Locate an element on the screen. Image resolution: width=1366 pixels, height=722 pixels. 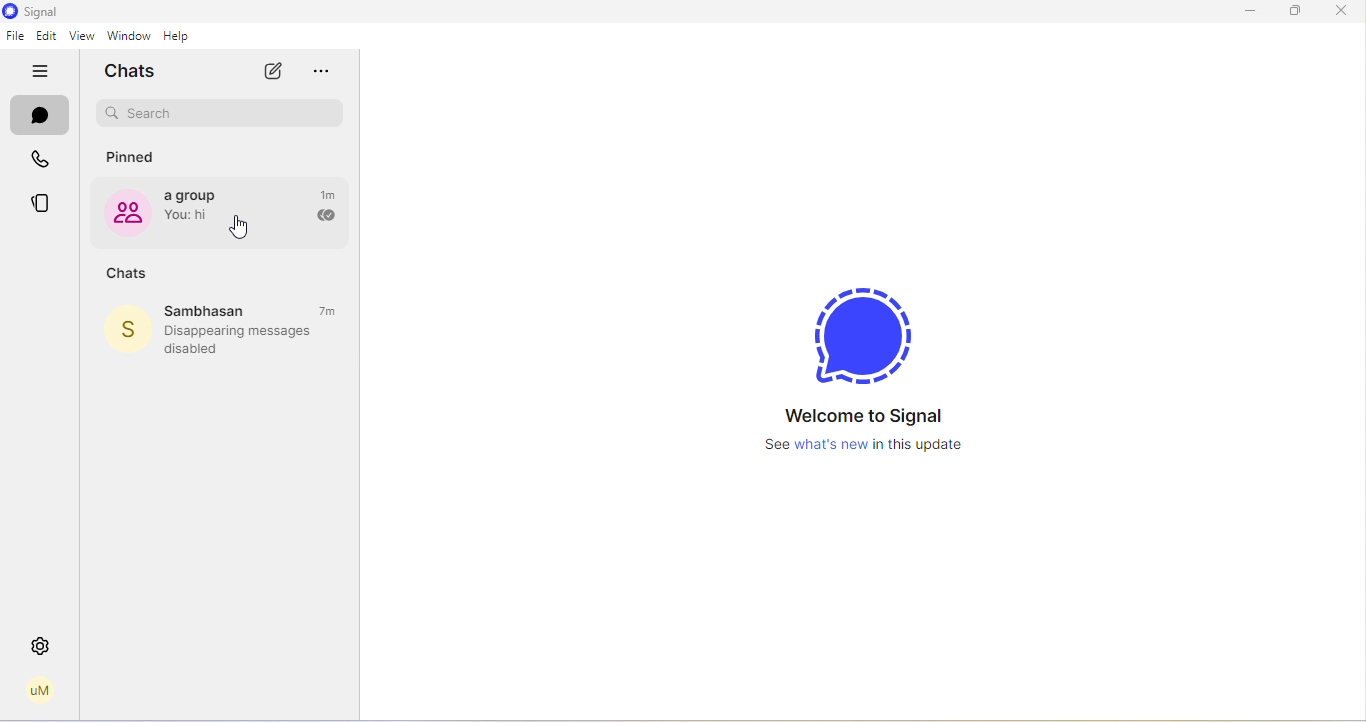
chat is located at coordinates (41, 118).